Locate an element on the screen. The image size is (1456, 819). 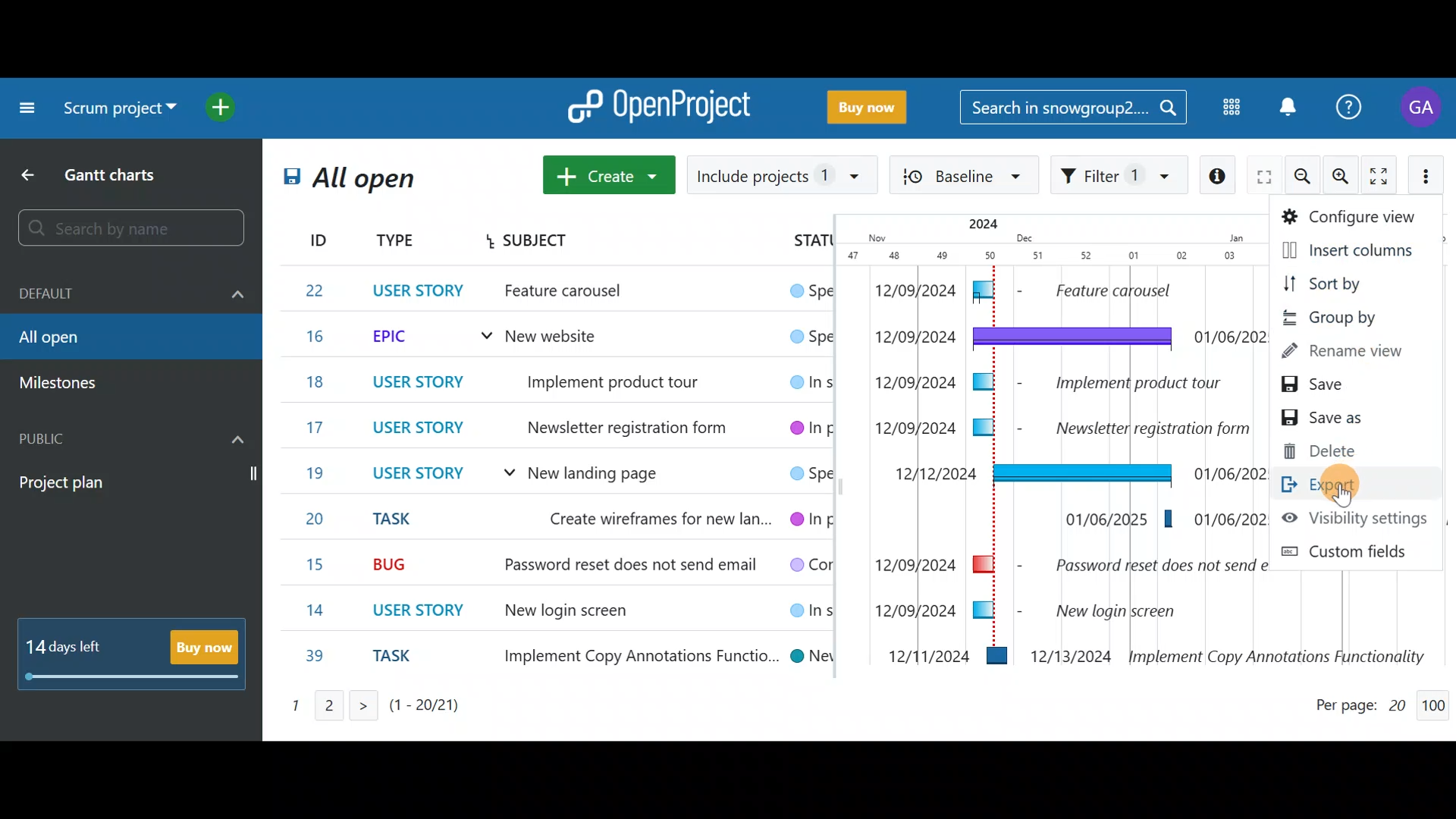
Visibility setting is located at coordinates (1351, 516).